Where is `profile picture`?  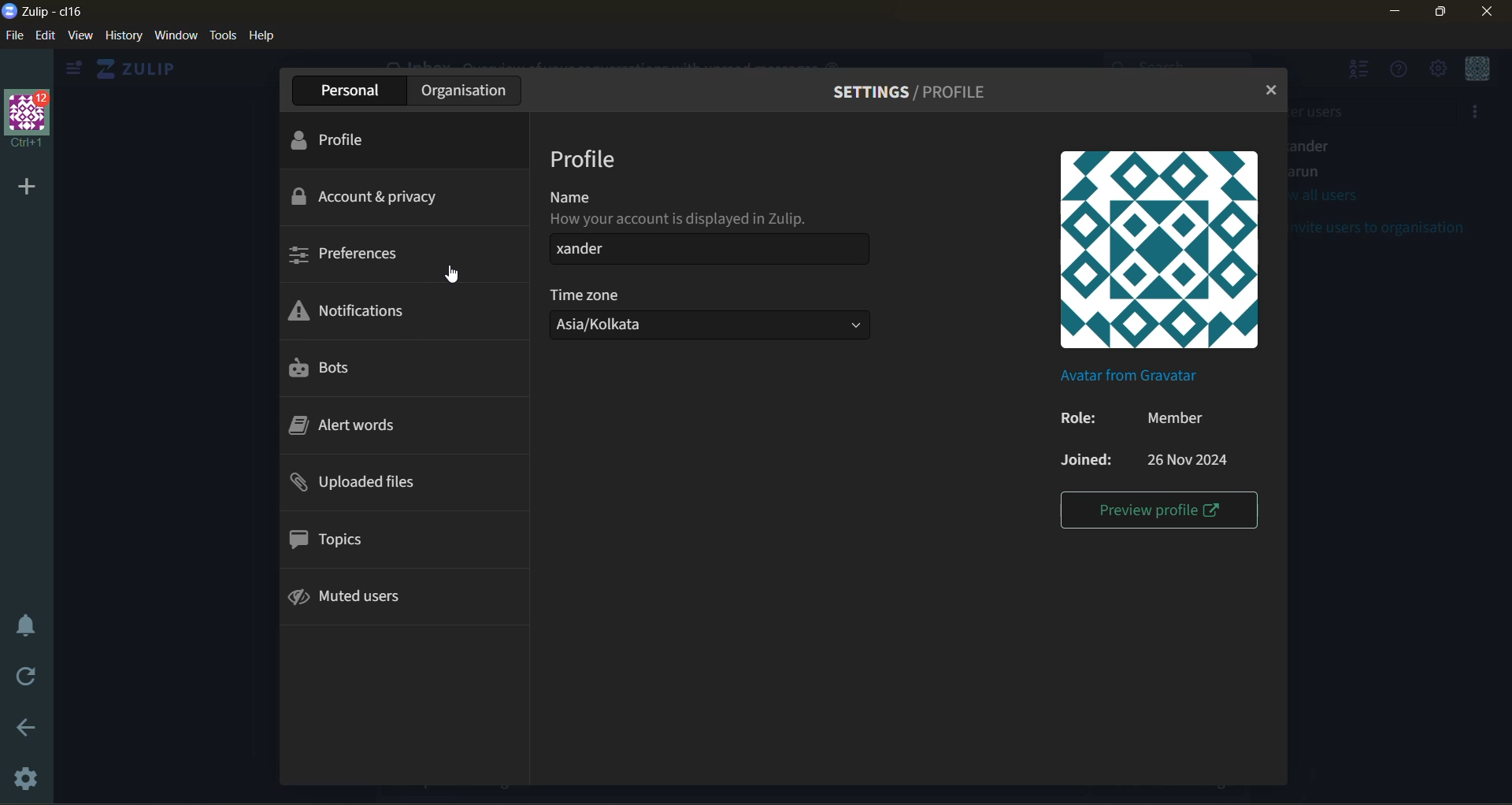 profile picture is located at coordinates (1165, 254).